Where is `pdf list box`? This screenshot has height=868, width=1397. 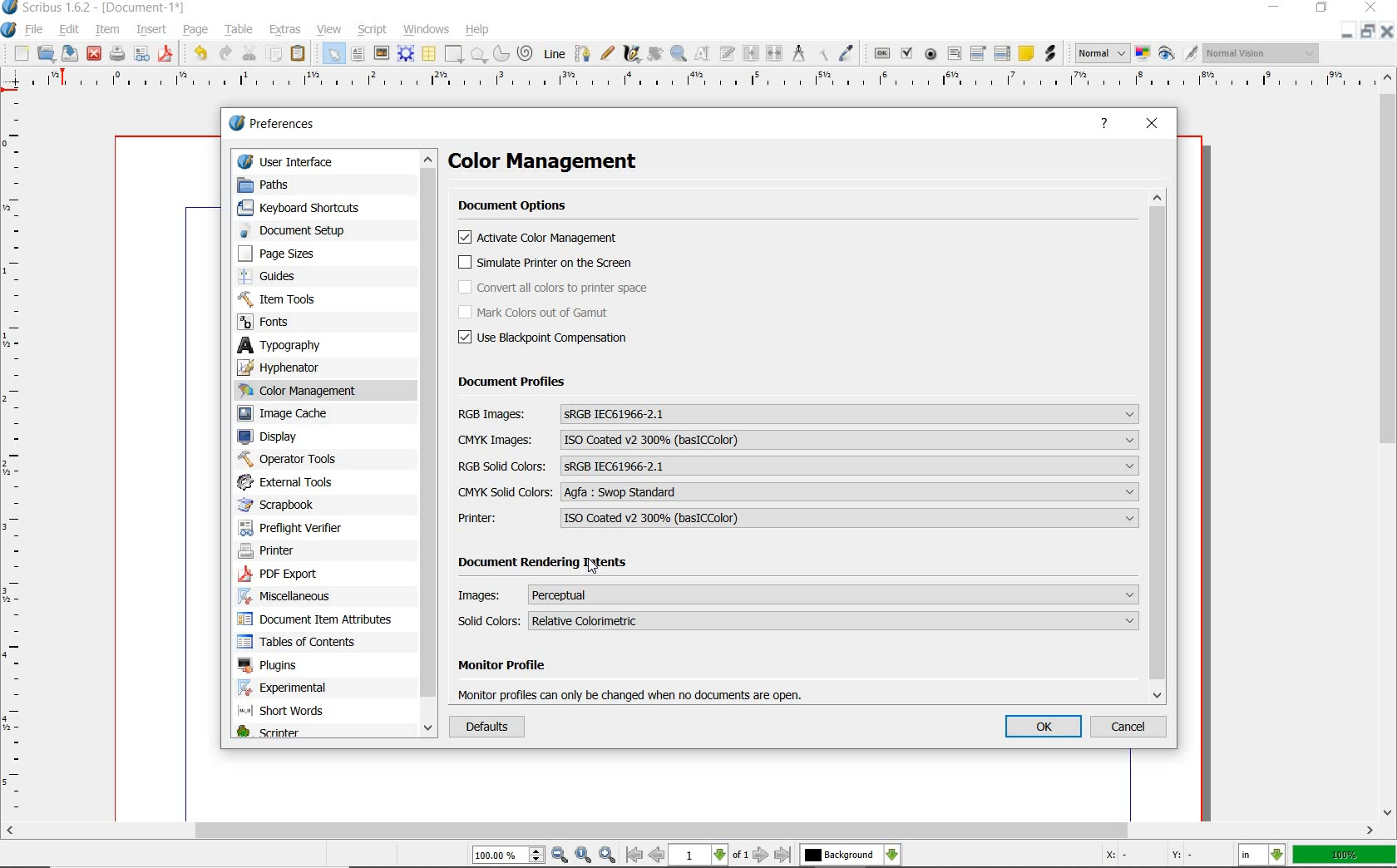
pdf list box is located at coordinates (1001, 53).